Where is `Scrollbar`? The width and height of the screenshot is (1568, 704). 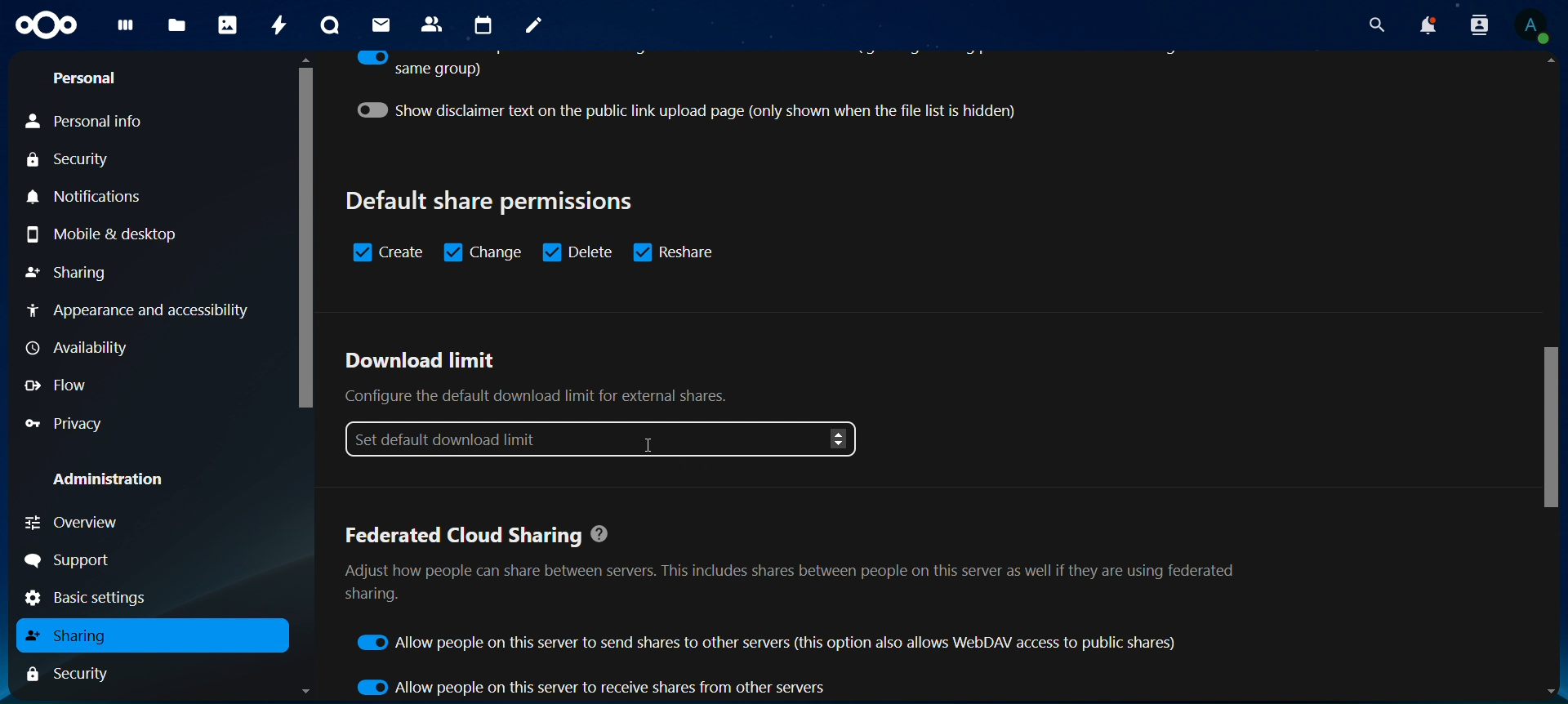 Scrollbar is located at coordinates (301, 378).